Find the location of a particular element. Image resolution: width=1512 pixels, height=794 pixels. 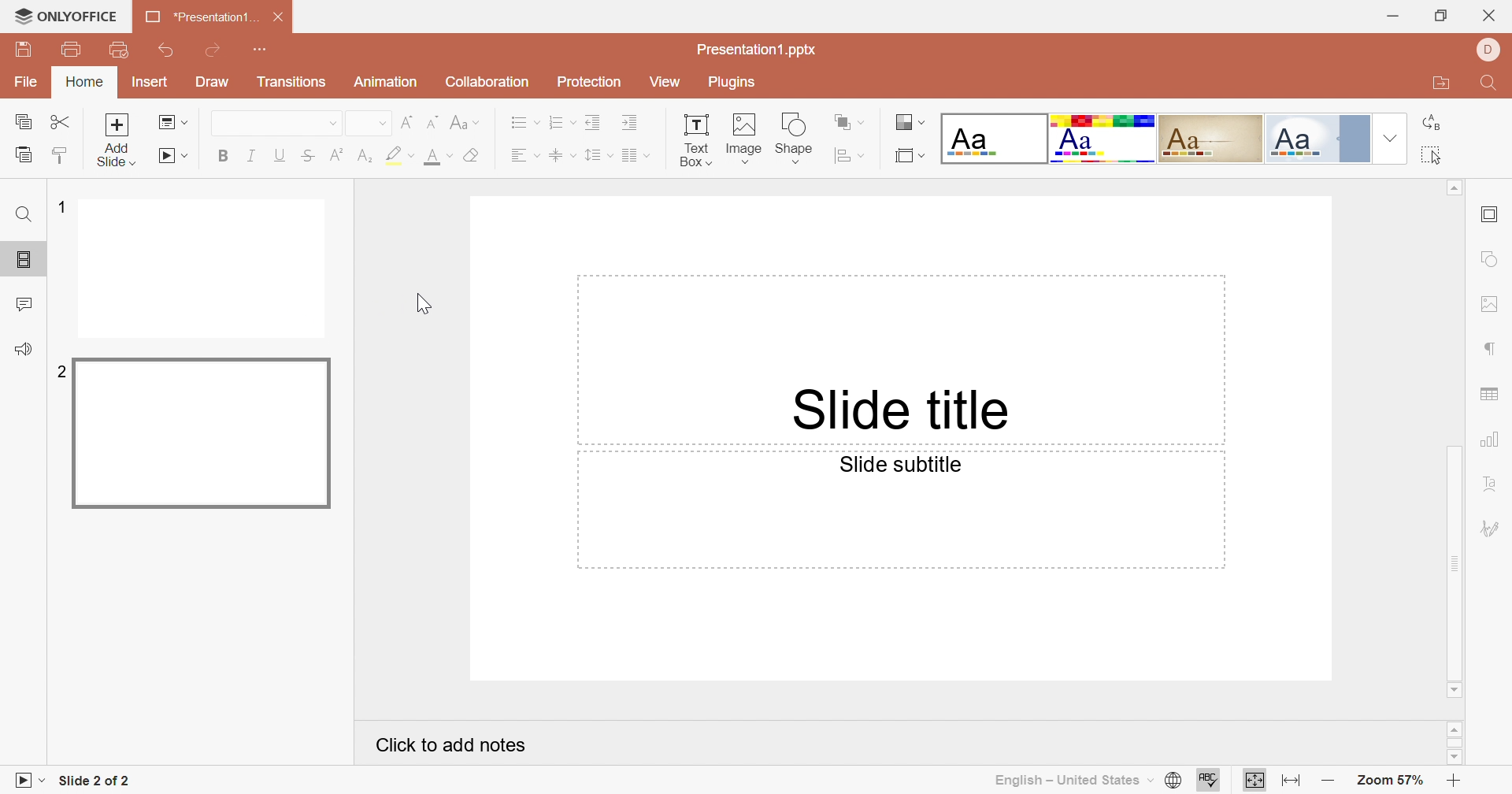

Drop Down is located at coordinates (185, 156).